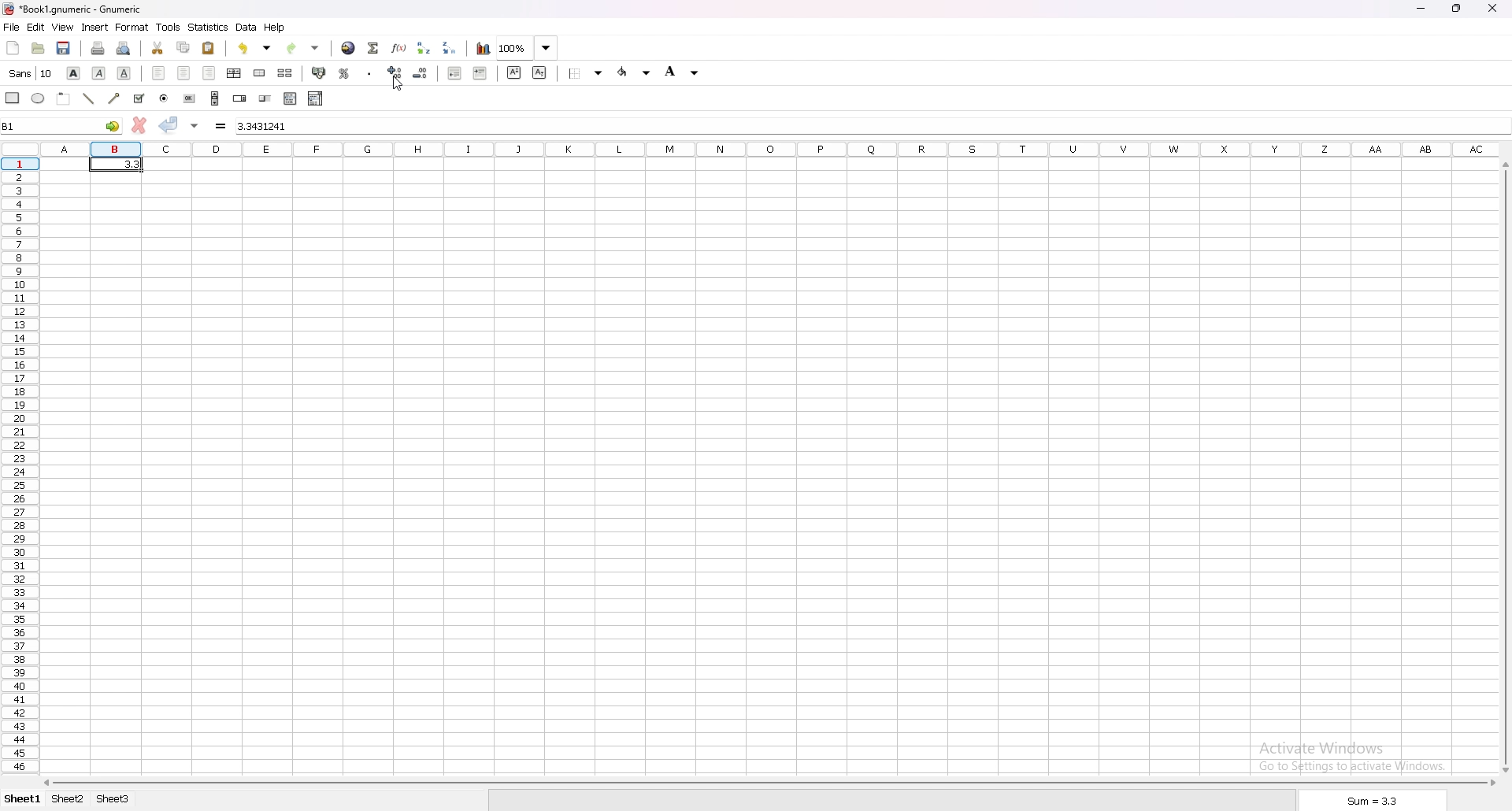 The image size is (1512, 811). I want to click on save, so click(64, 47).